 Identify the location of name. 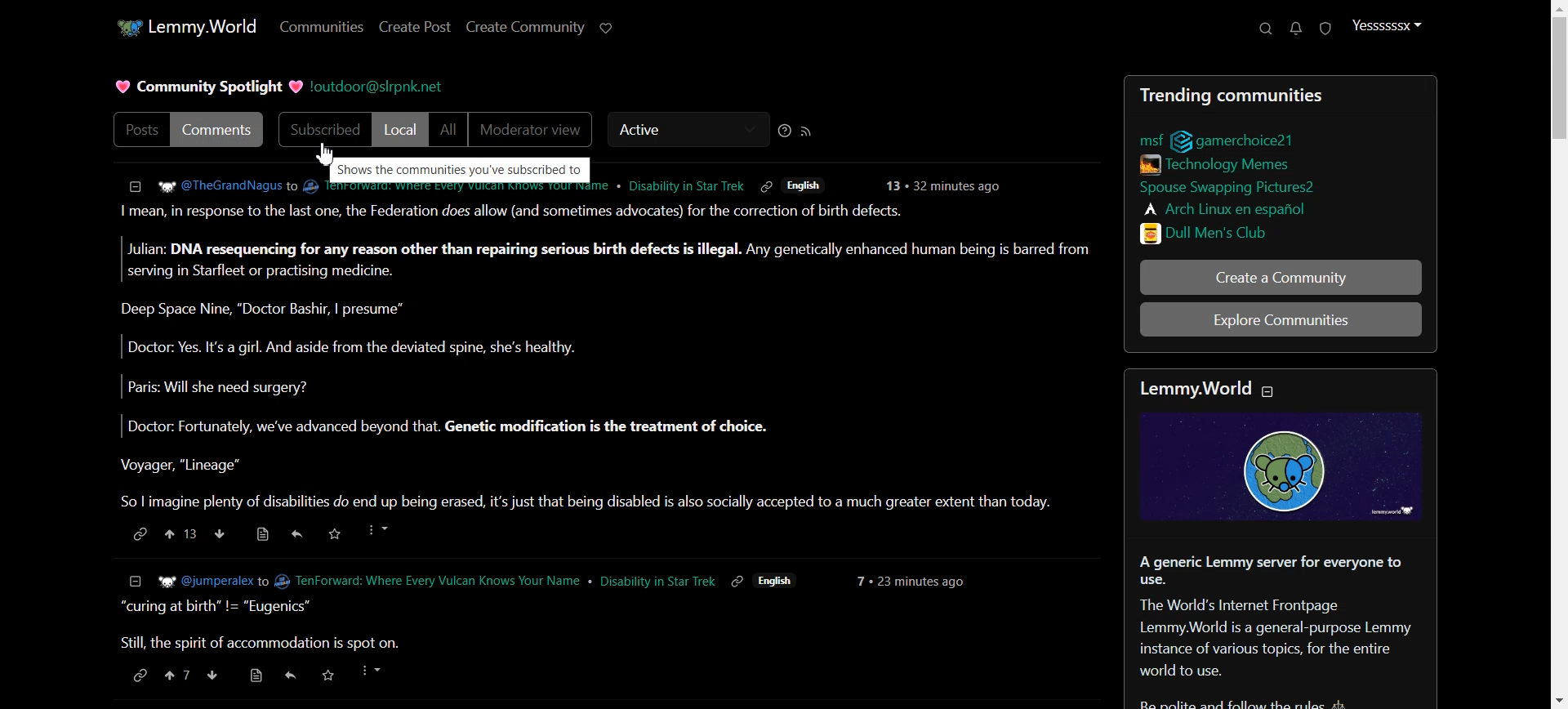
(488, 579).